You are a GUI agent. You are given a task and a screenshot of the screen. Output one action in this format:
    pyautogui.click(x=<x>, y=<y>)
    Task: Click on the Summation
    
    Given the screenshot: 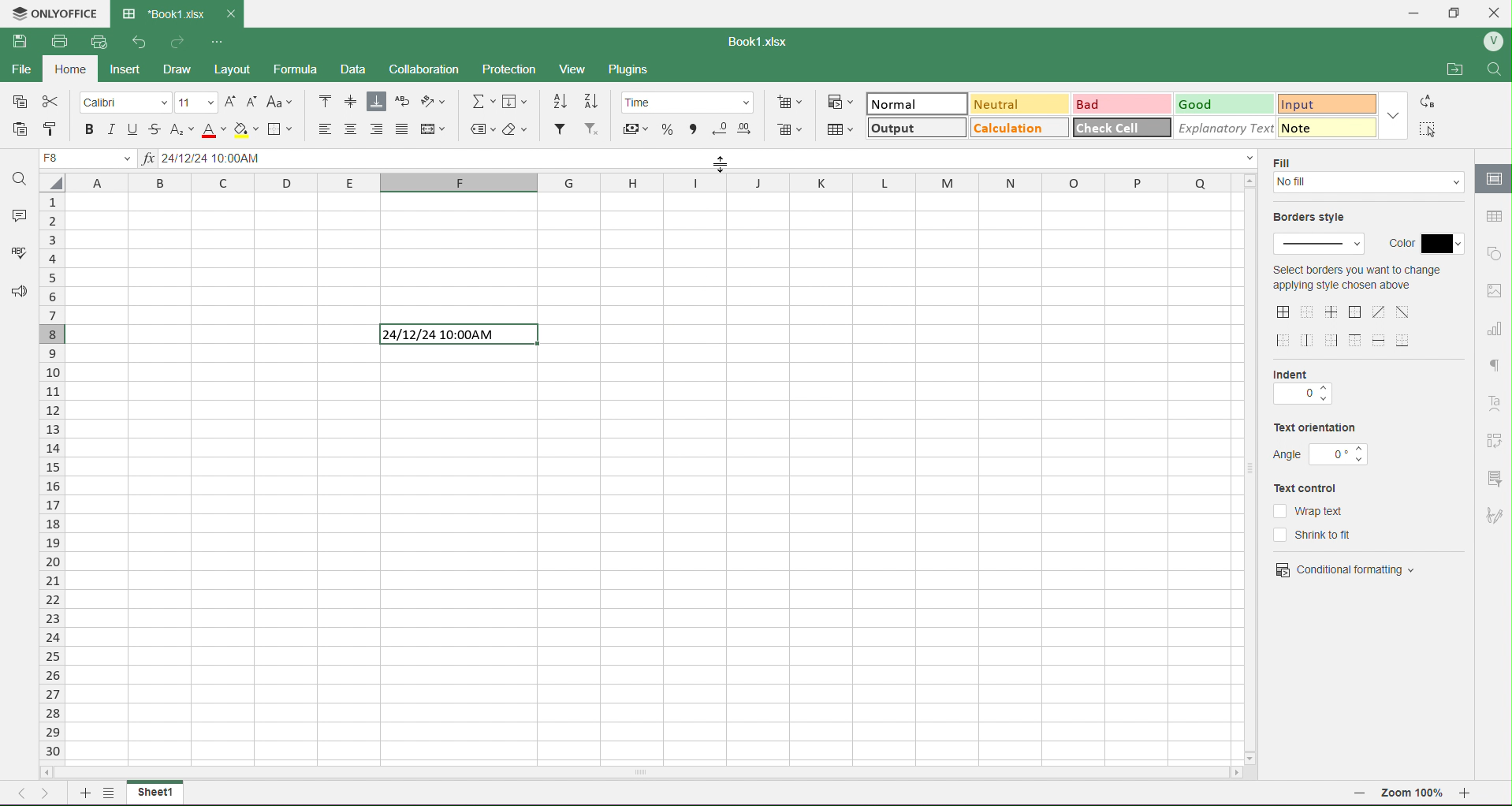 What is the action you would take?
    pyautogui.click(x=484, y=101)
    